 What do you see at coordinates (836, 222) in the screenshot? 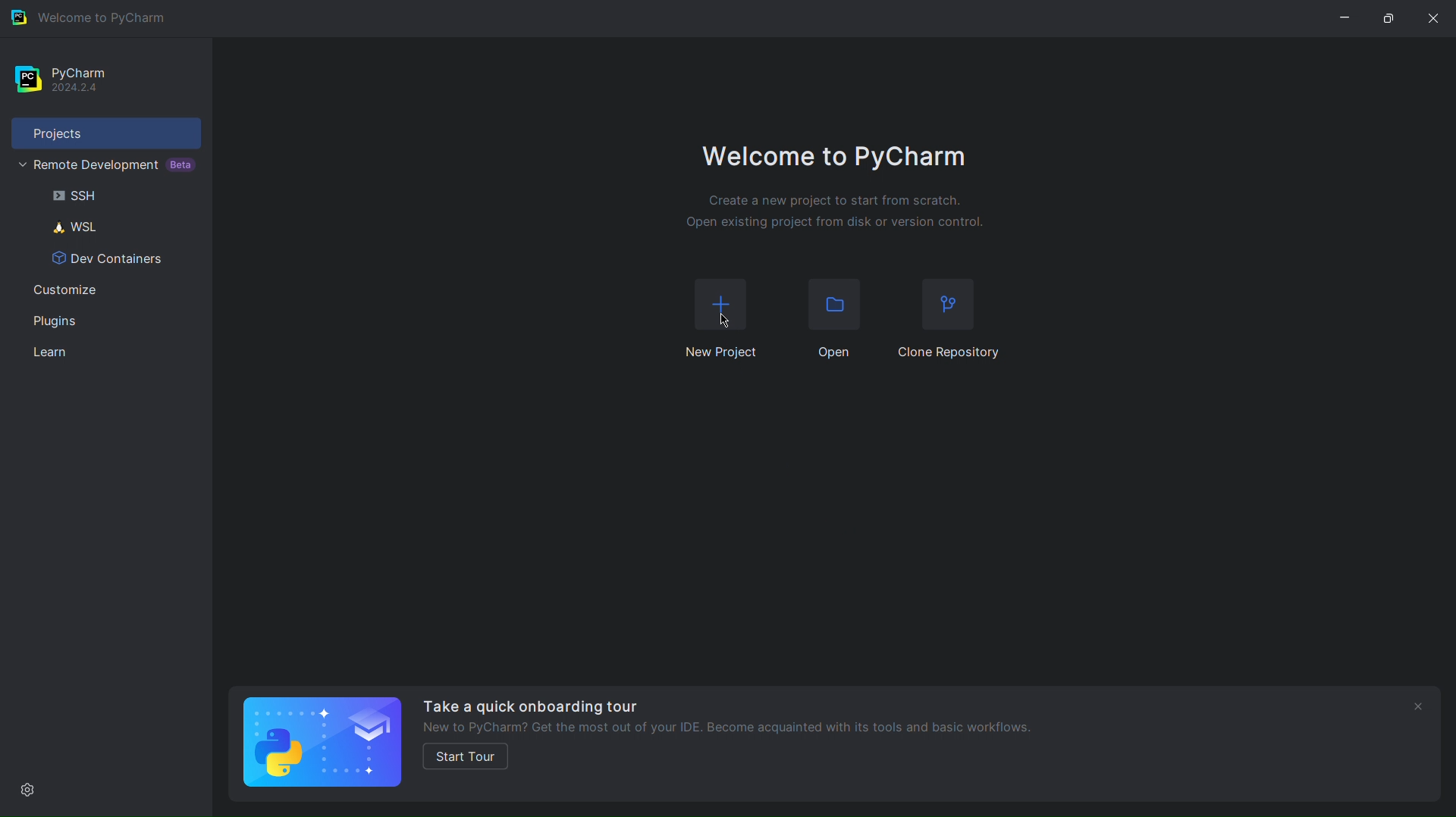
I see `Open existing project` at bounding box center [836, 222].